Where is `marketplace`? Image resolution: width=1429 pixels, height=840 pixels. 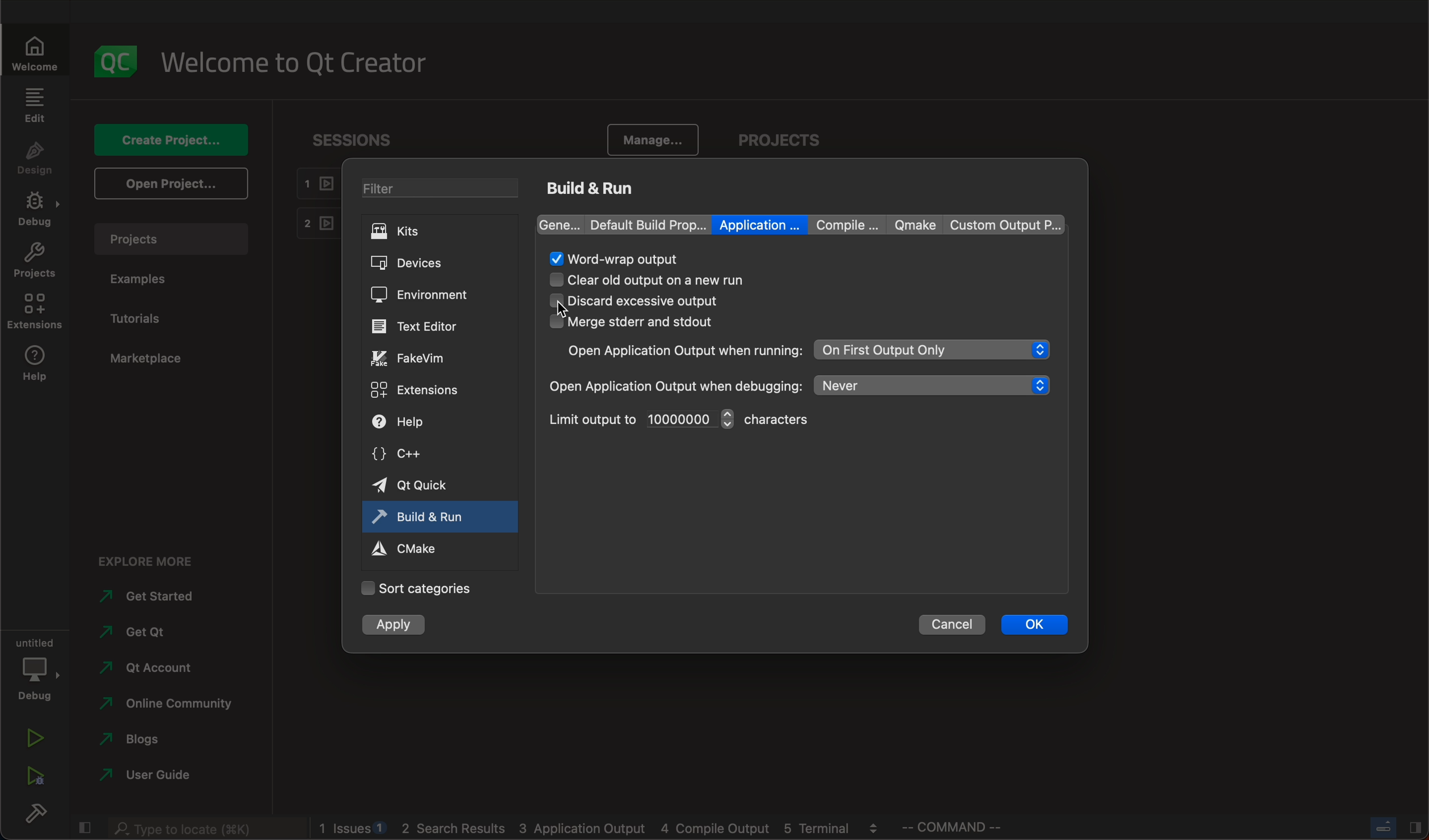
marketplace is located at coordinates (150, 359).